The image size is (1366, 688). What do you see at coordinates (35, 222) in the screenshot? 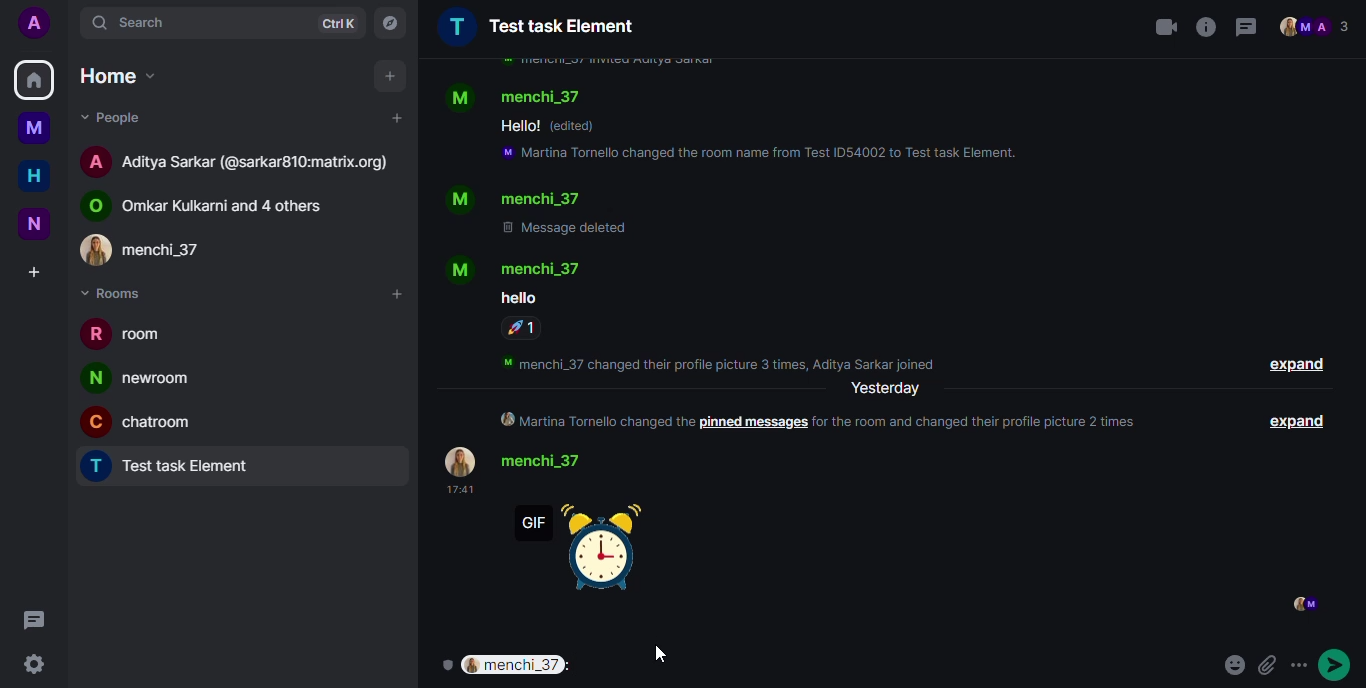
I see `new` at bounding box center [35, 222].